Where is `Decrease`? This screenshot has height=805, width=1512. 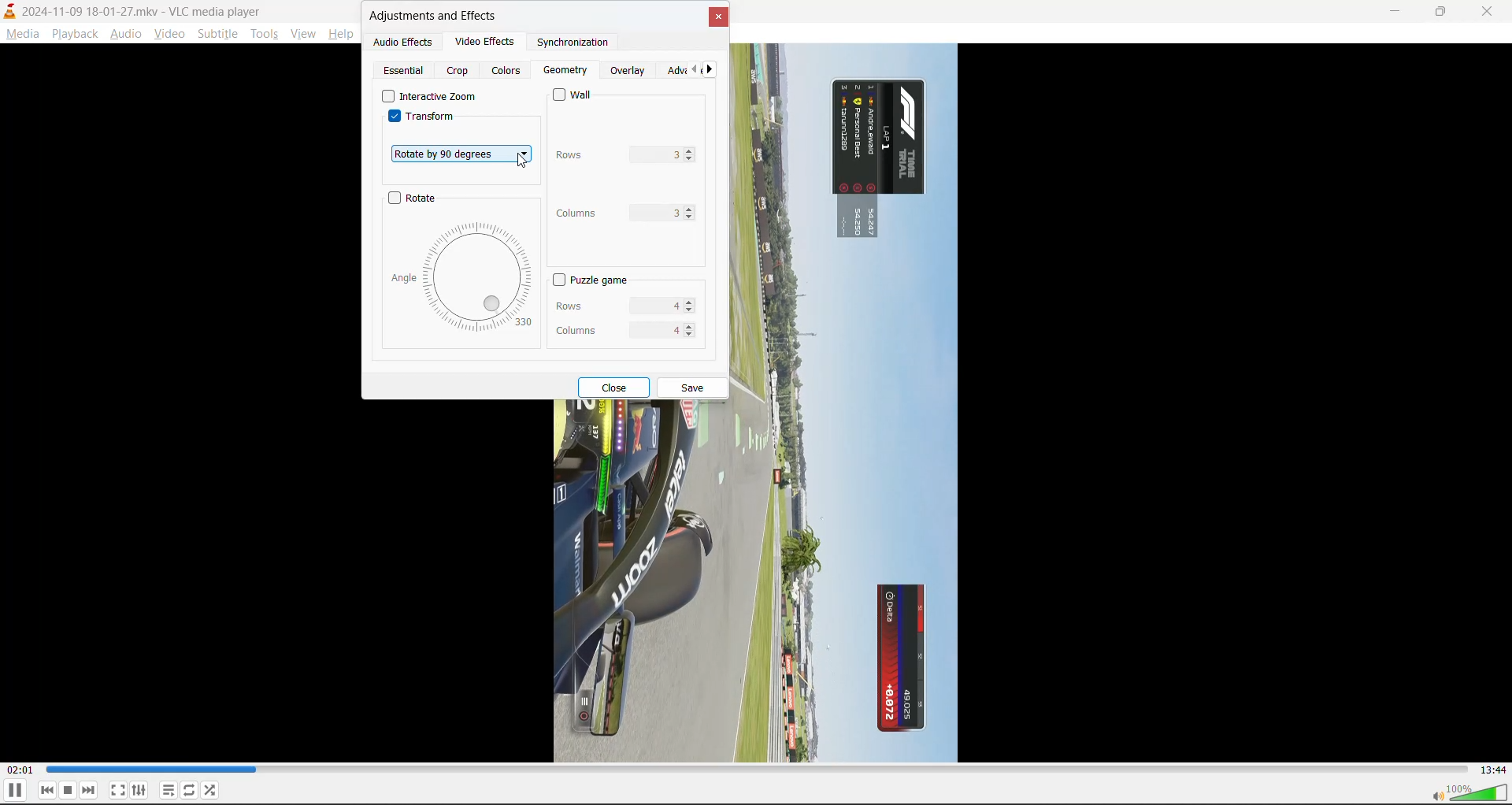
Decrease is located at coordinates (691, 332).